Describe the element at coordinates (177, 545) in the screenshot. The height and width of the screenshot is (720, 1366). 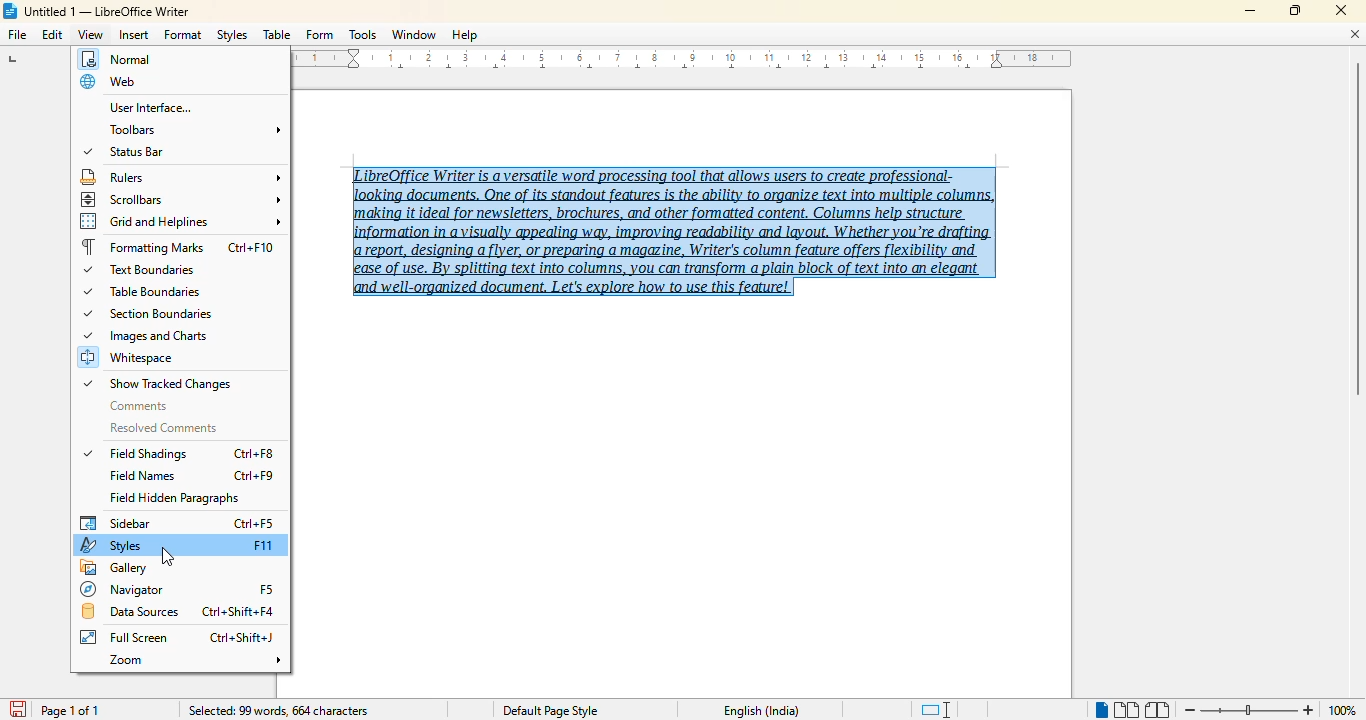
I see `styles` at that location.